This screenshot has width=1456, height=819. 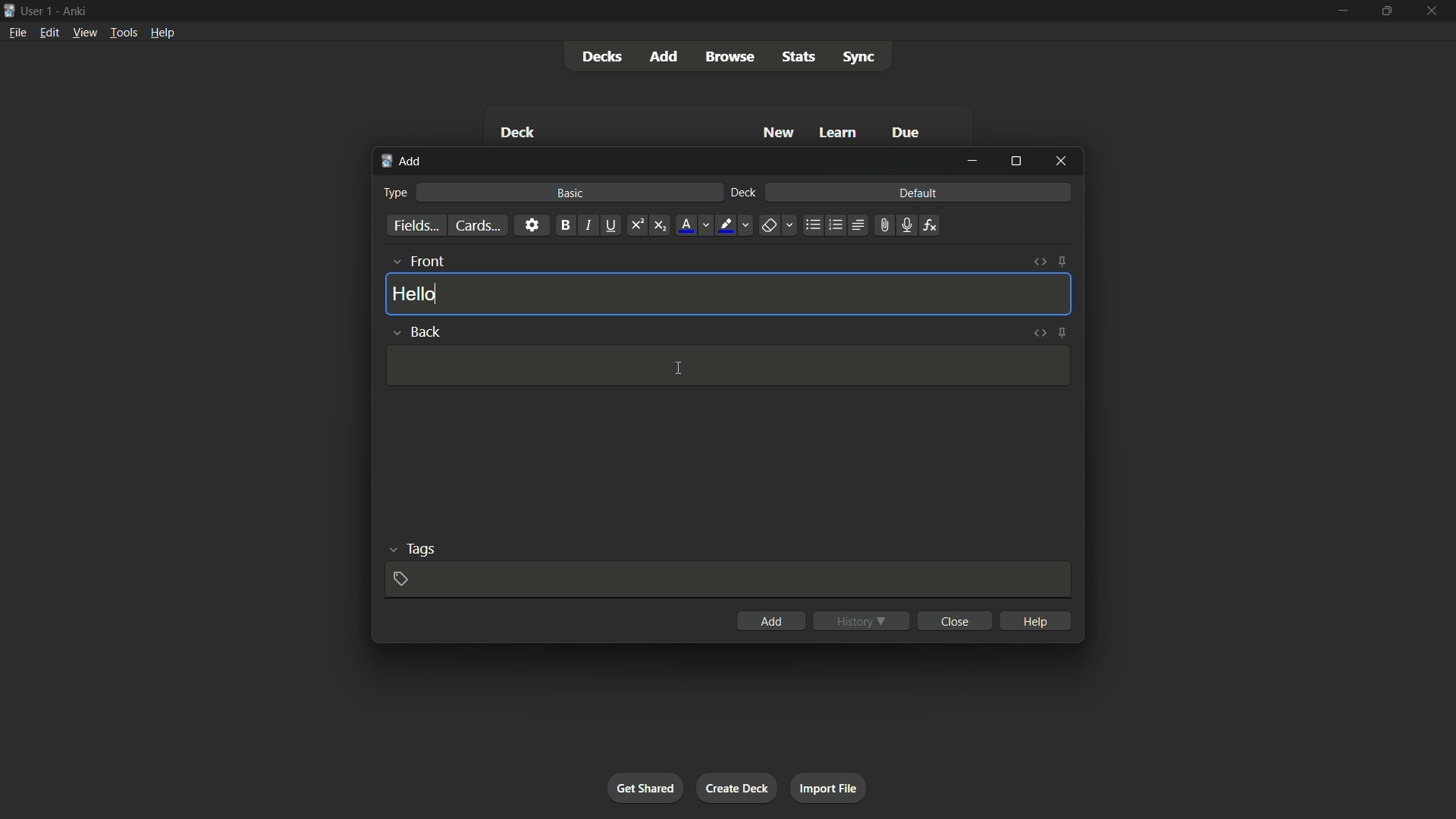 What do you see at coordinates (1015, 162) in the screenshot?
I see `maximize` at bounding box center [1015, 162].